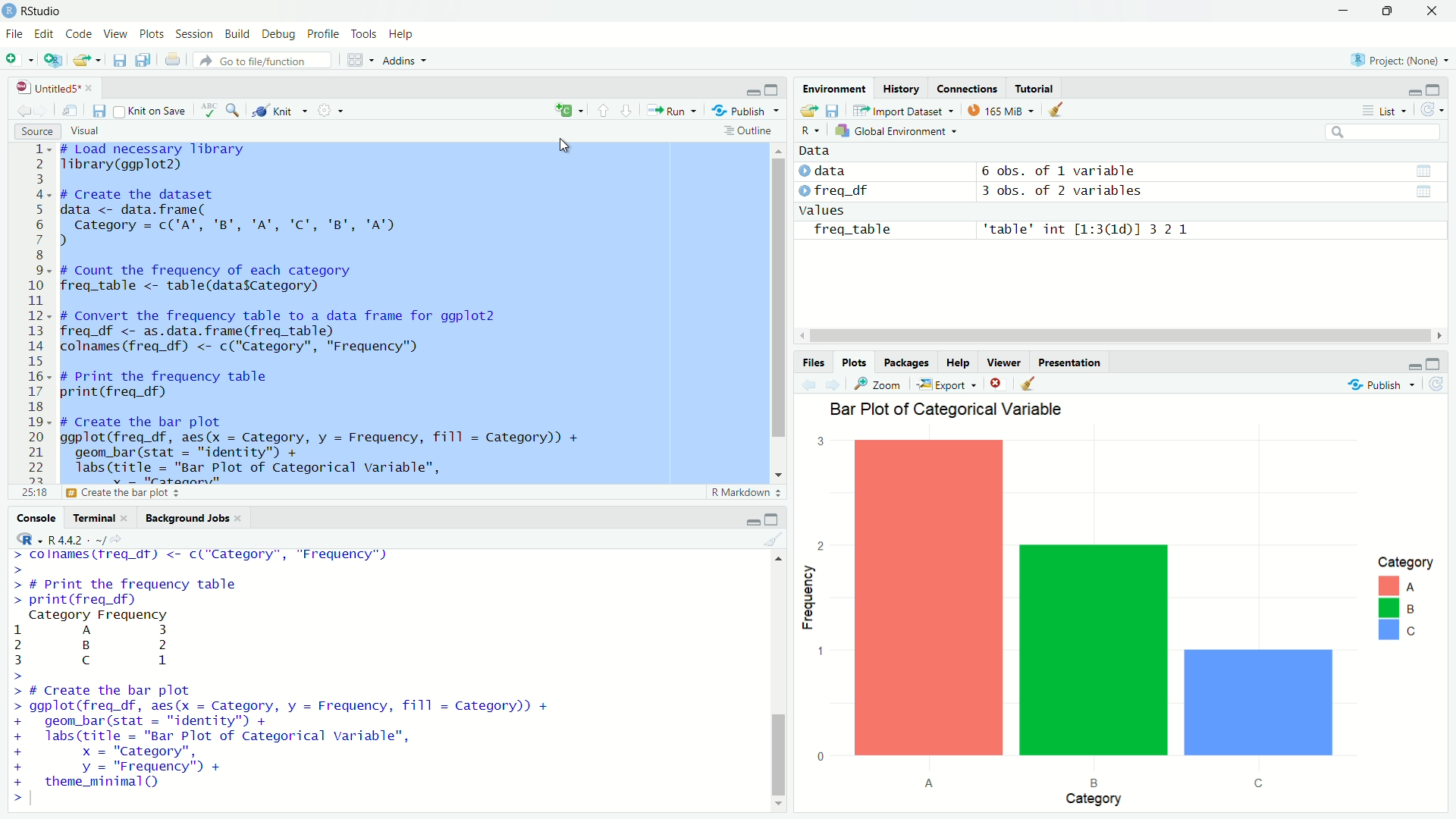  What do you see at coordinates (748, 493) in the screenshot?
I see `R markdown` at bounding box center [748, 493].